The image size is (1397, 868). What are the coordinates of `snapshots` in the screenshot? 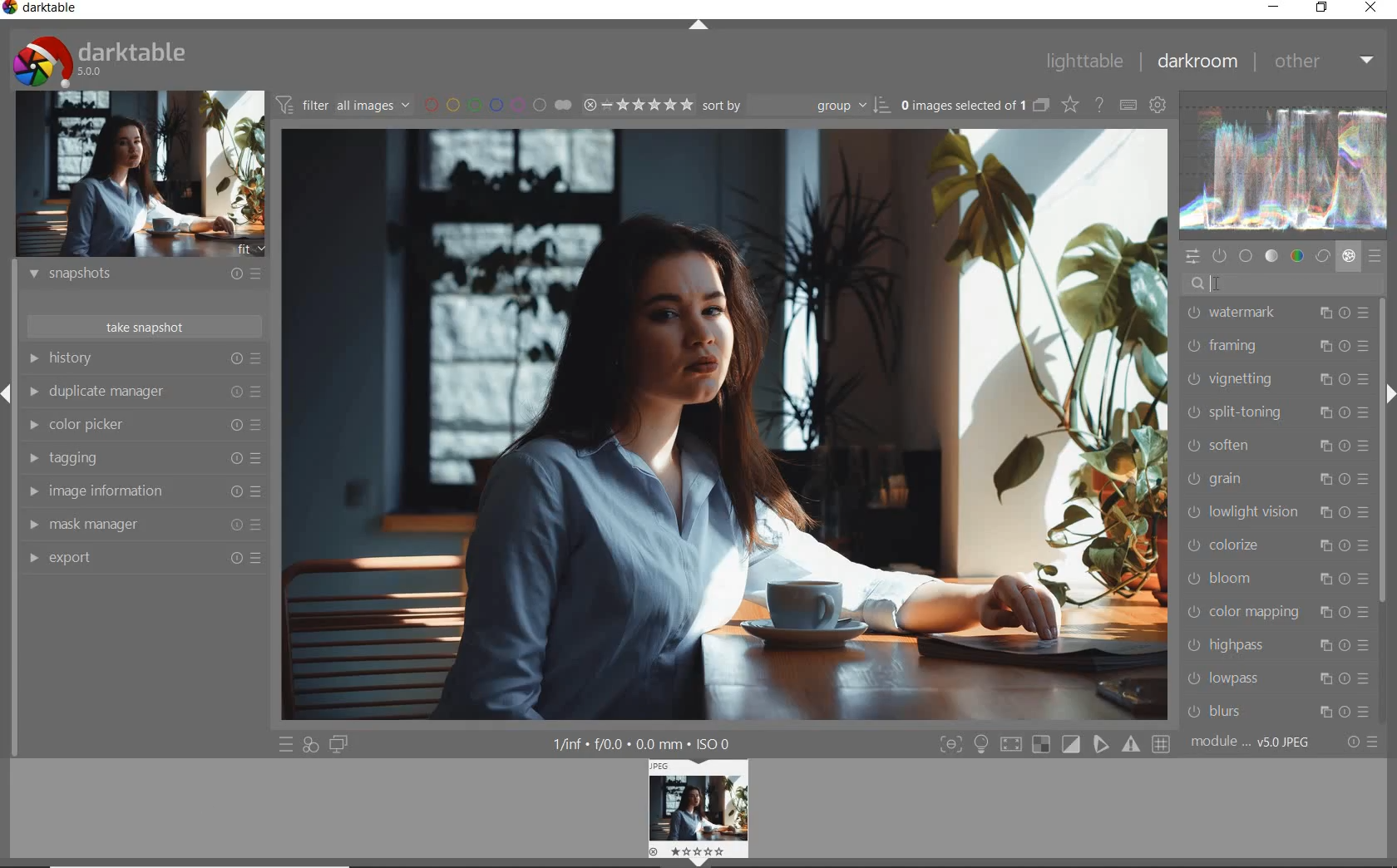 It's located at (147, 274).